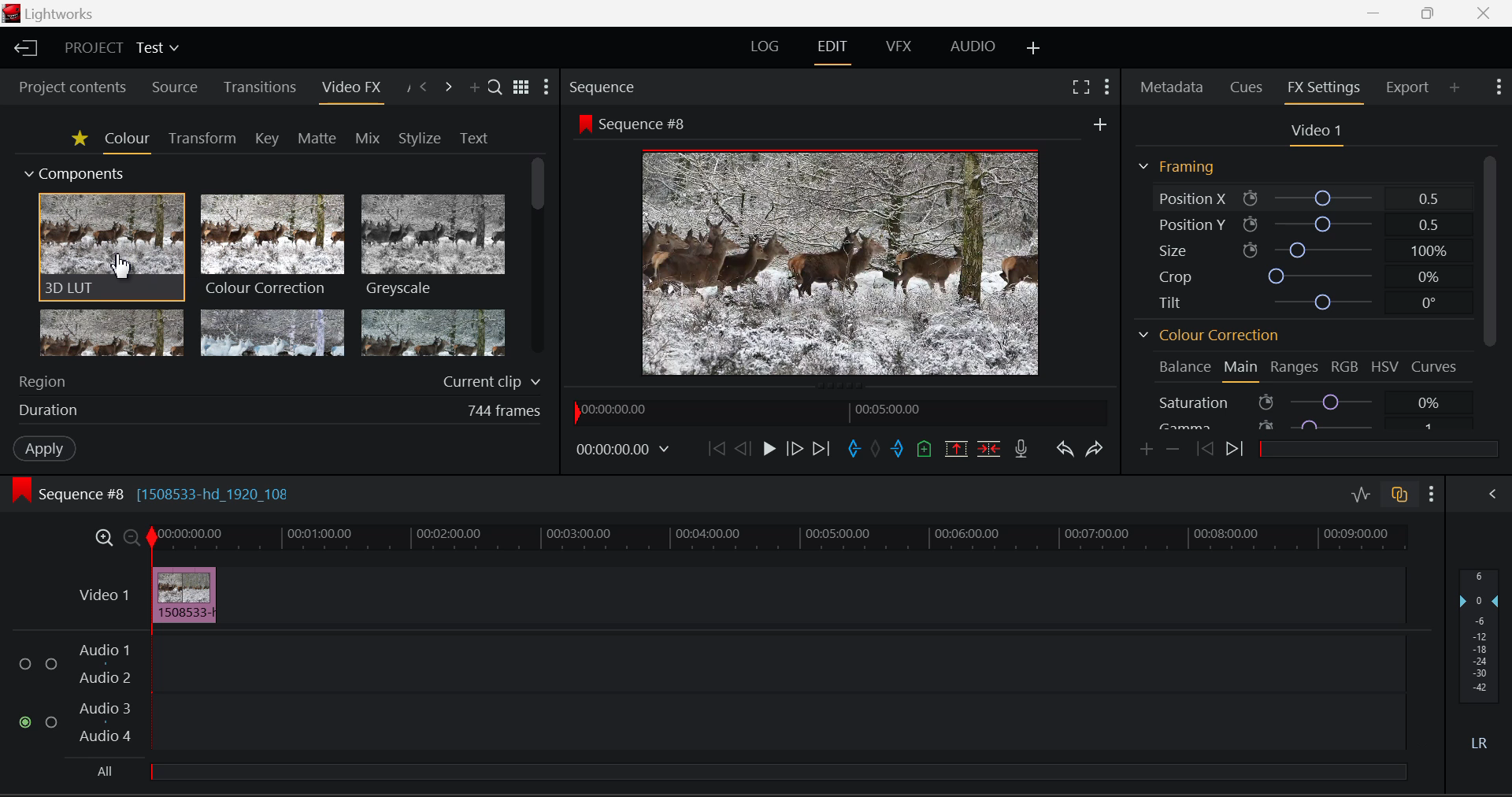 This screenshot has height=797, width=1512. I want to click on Timeline Zoom Out, so click(131, 537).